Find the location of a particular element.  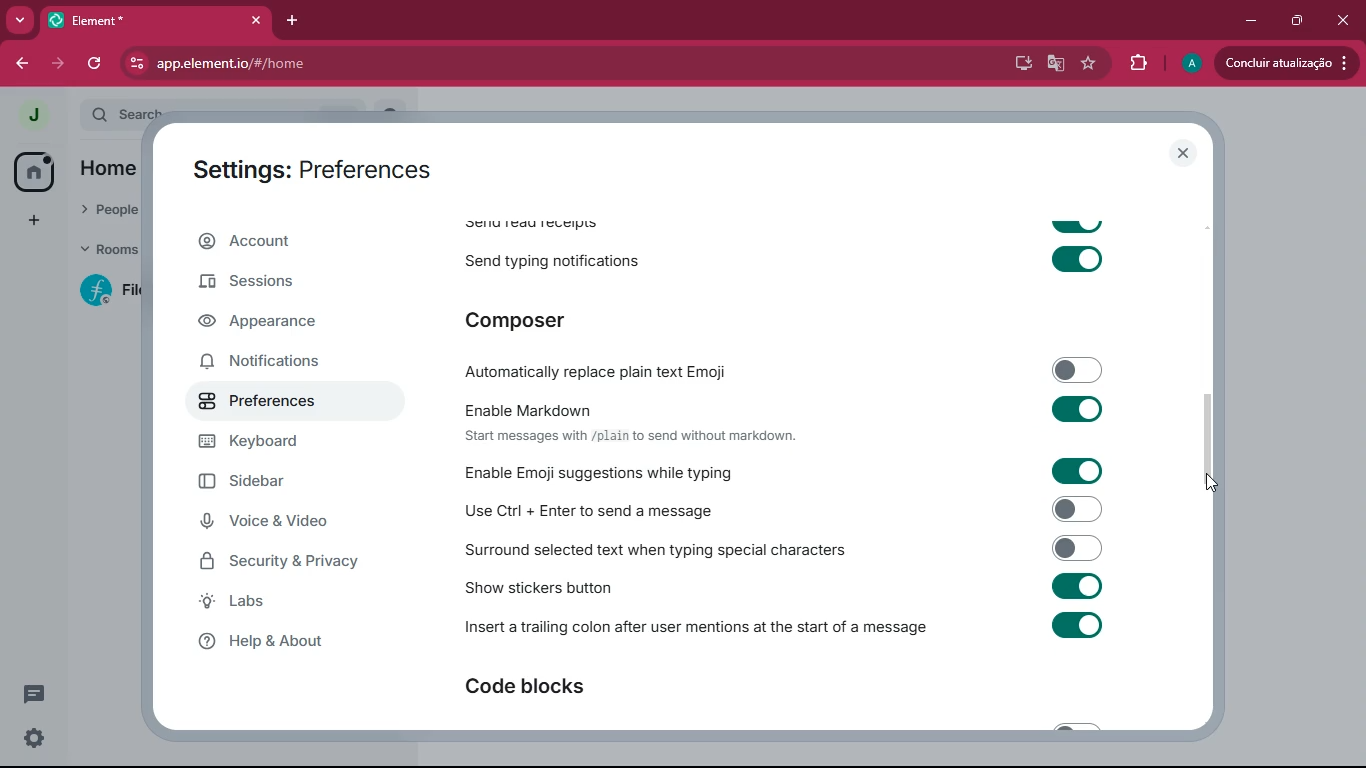

automatically replace is located at coordinates (785, 369).